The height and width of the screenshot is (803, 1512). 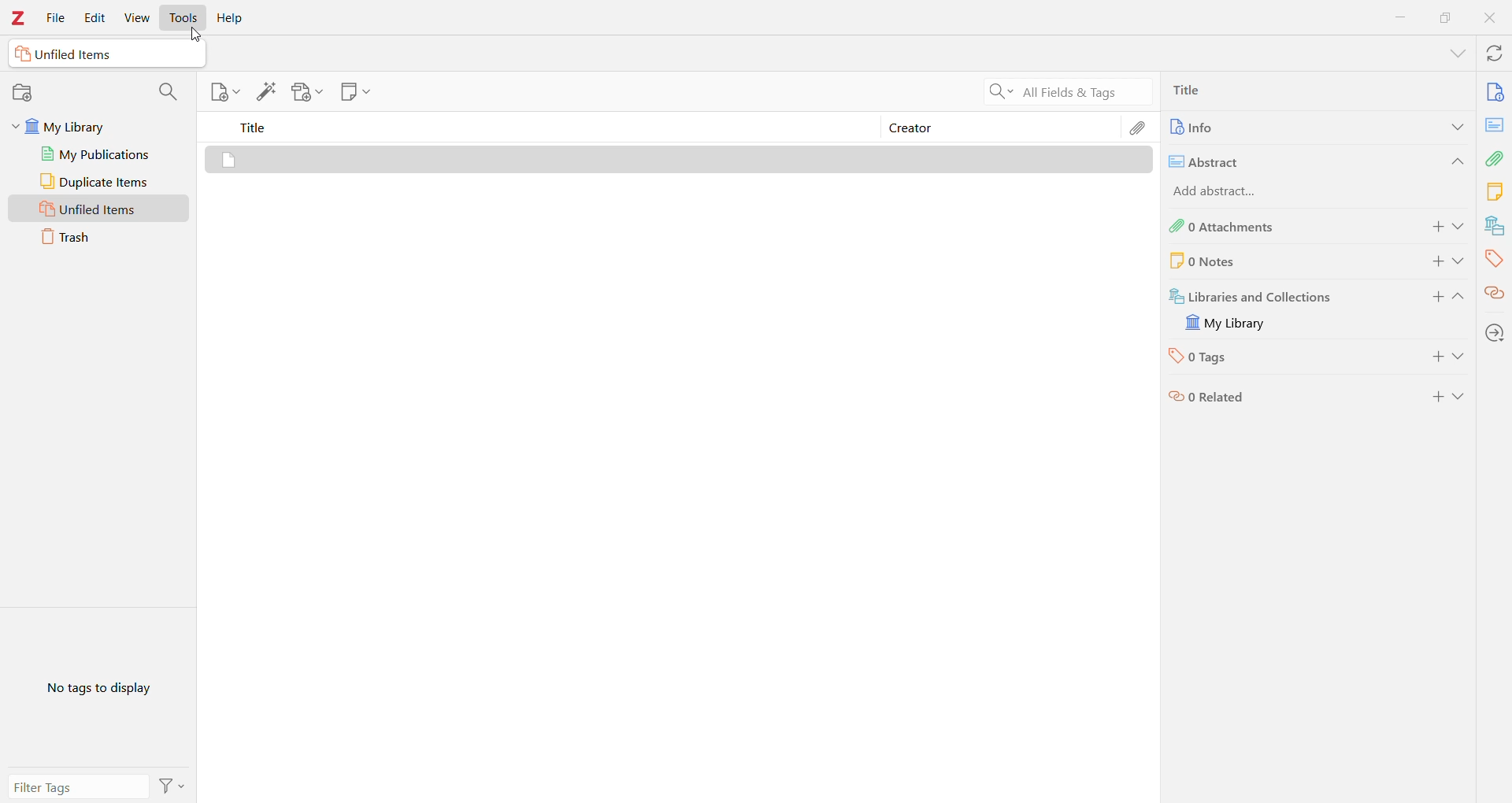 What do you see at coordinates (1280, 395) in the screenshot?
I see `` at bounding box center [1280, 395].